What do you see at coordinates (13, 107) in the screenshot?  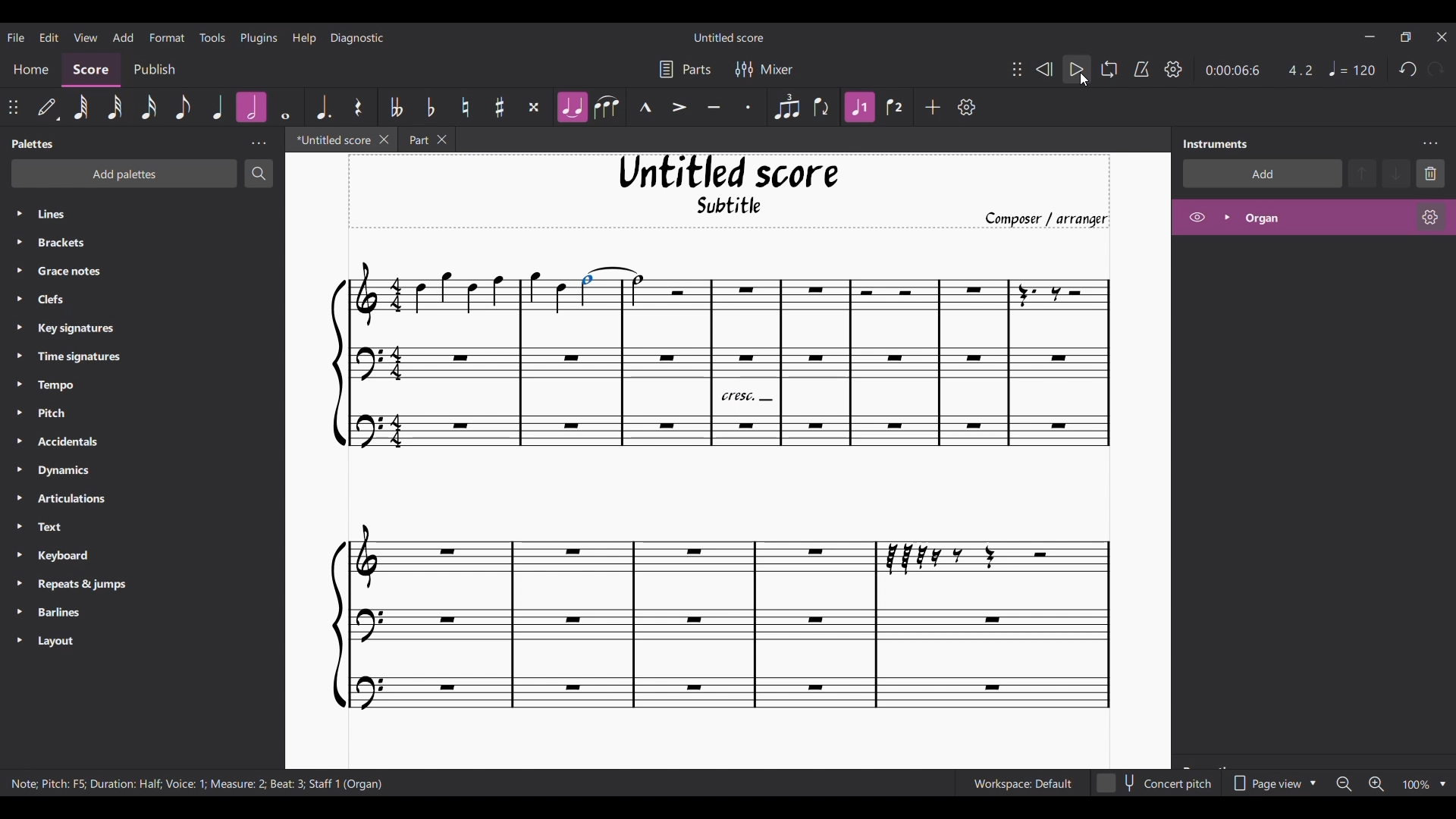 I see `Change position of toolbar attached` at bounding box center [13, 107].